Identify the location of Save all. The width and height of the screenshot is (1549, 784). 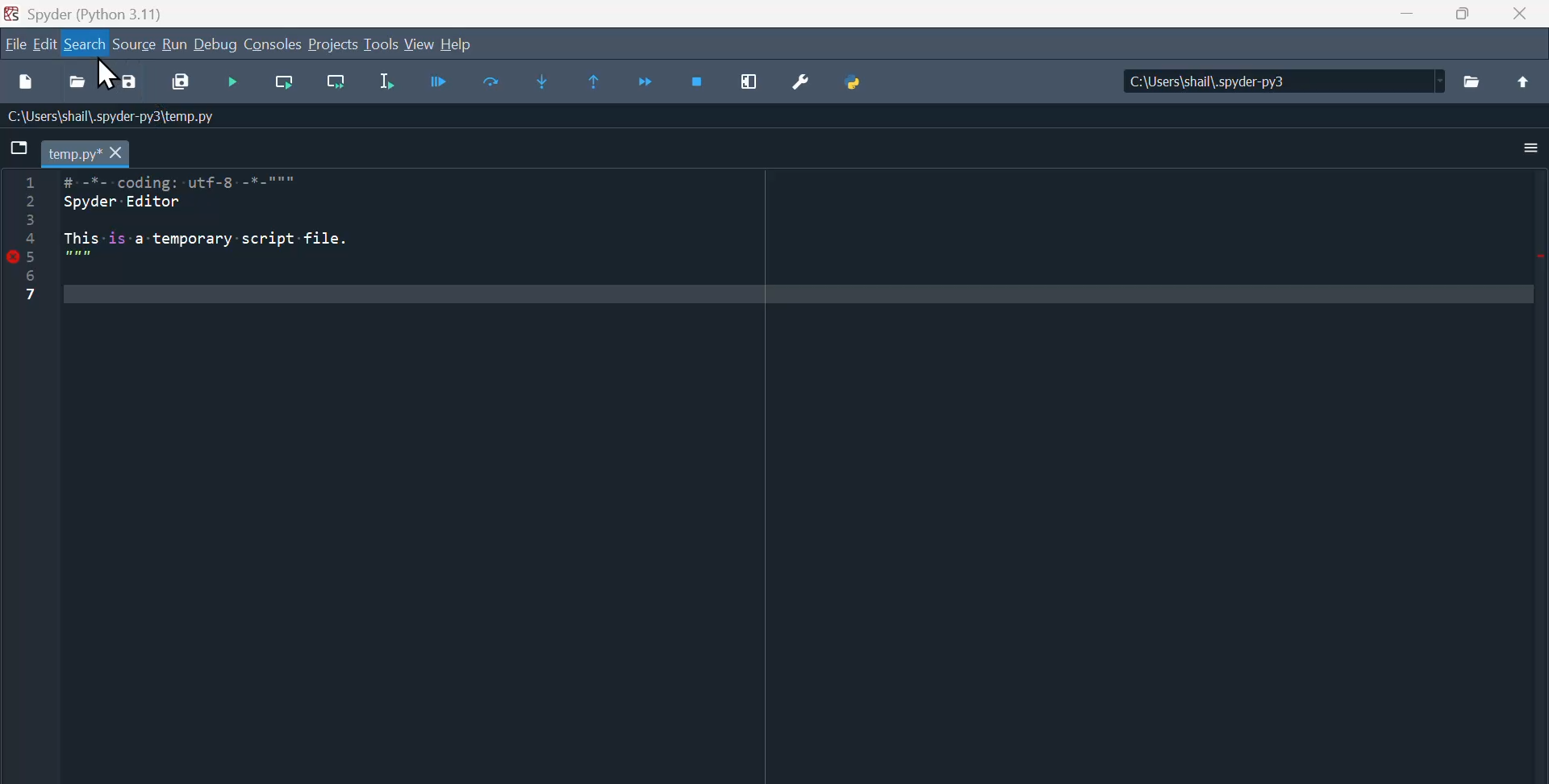
(182, 83).